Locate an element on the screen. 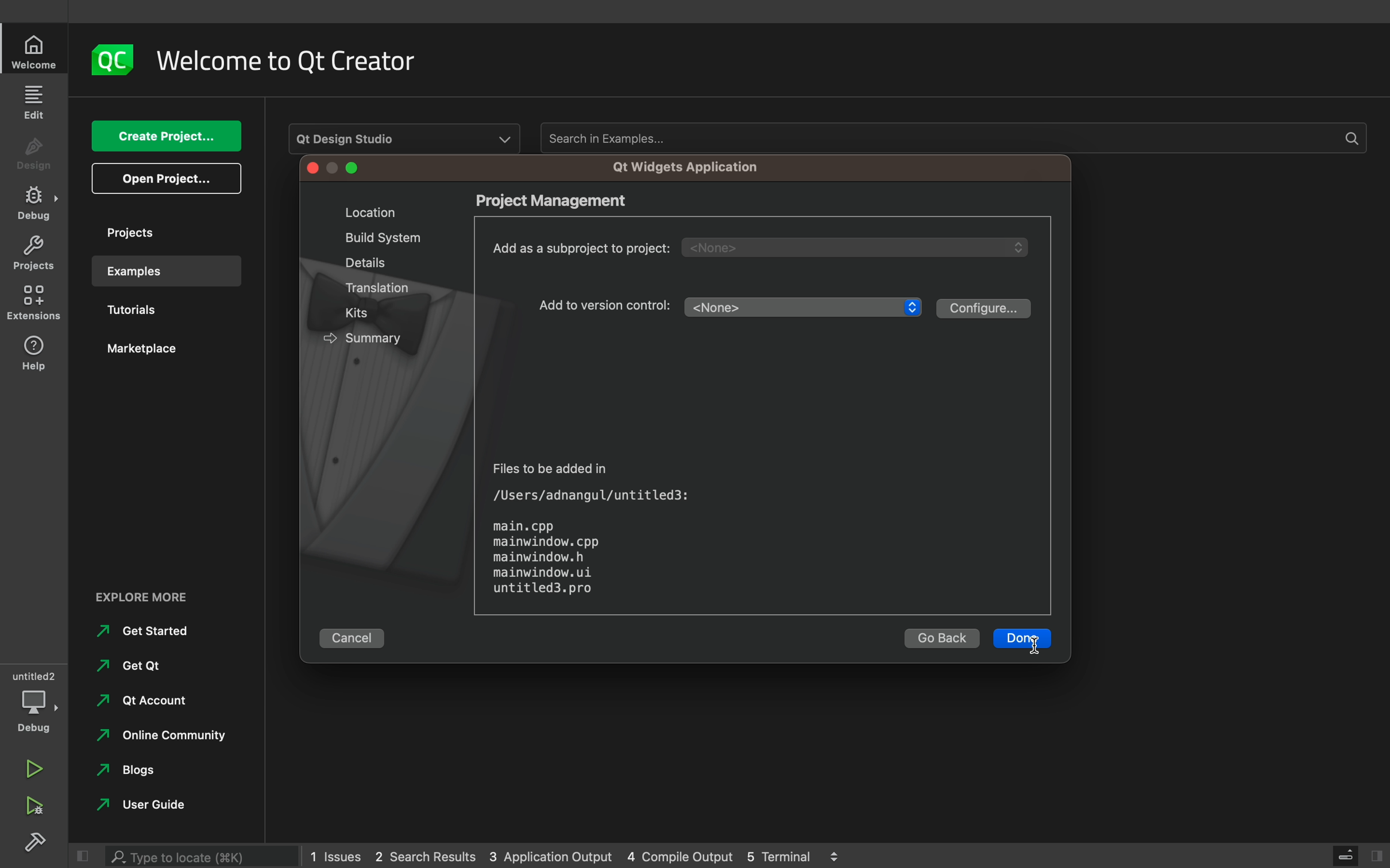 The image size is (1390, 868). examples is located at coordinates (161, 271).